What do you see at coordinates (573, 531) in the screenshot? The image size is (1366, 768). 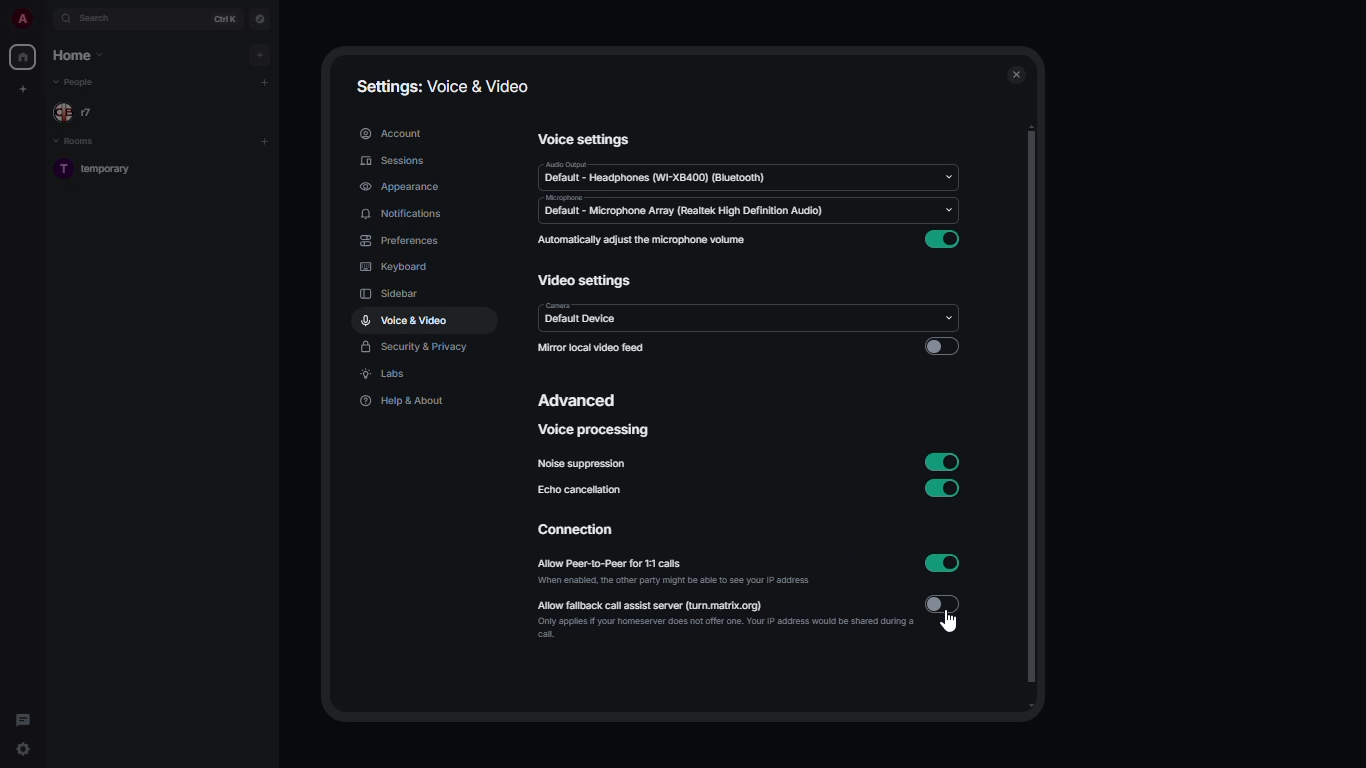 I see `connection` at bounding box center [573, 531].